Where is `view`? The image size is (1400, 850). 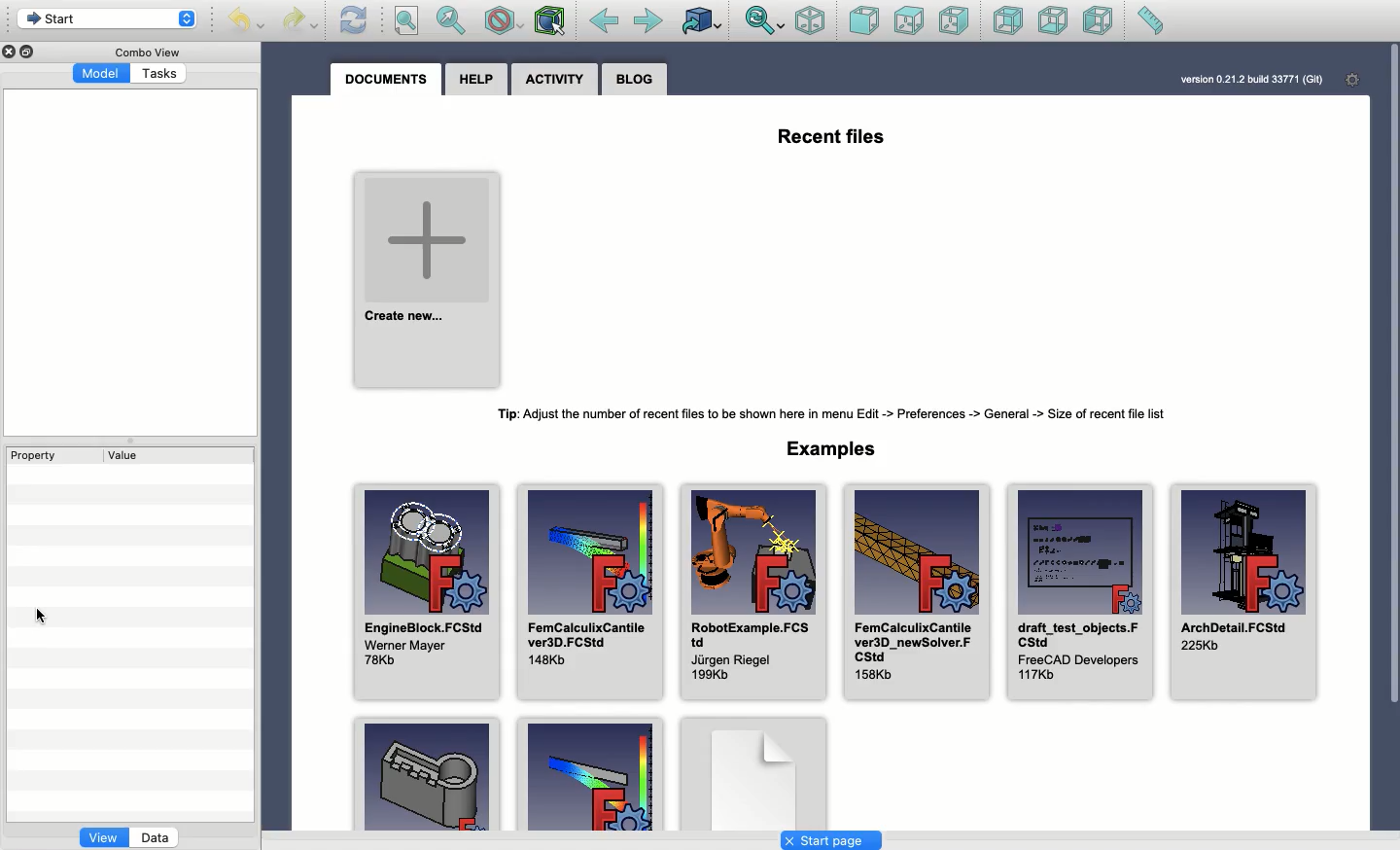 view is located at coordinates (104, 836).